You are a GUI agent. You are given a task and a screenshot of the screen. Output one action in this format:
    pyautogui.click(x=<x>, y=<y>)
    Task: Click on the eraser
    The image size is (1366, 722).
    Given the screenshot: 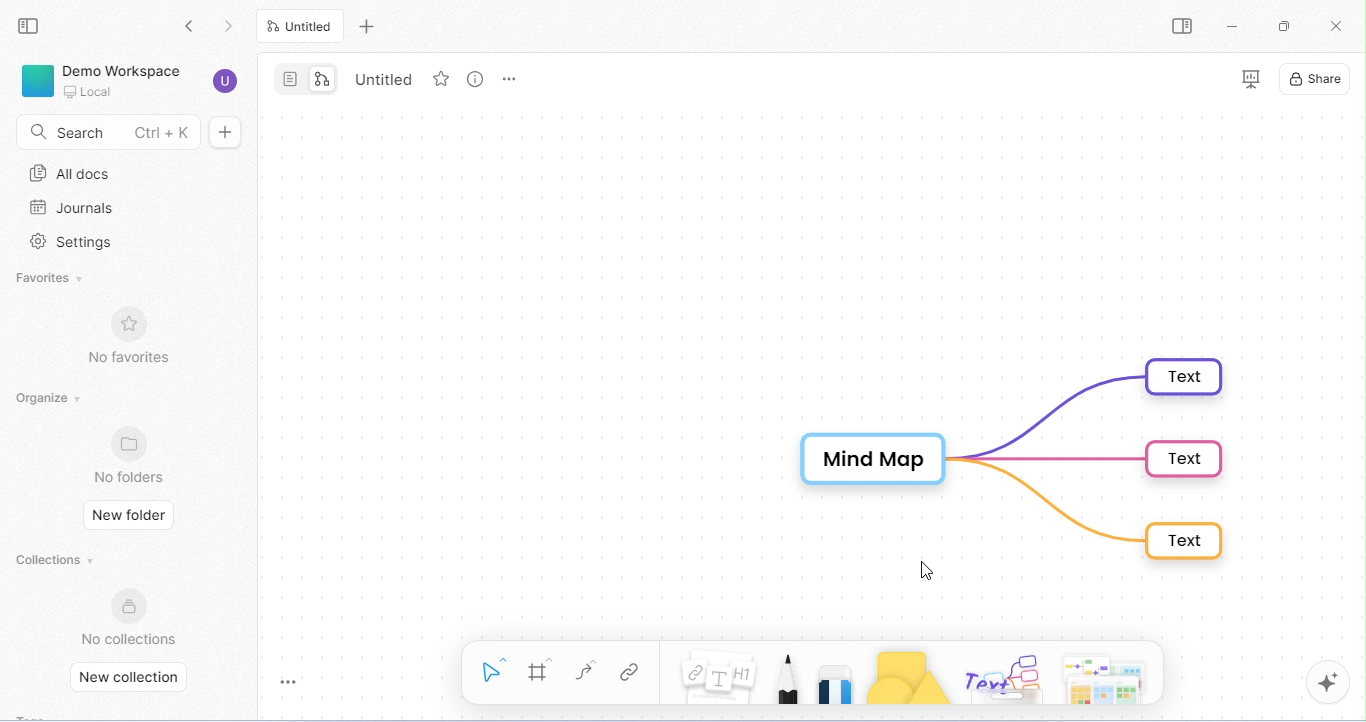 What is the action you would take?
    pyautogui.click(x=836, y=679)
    